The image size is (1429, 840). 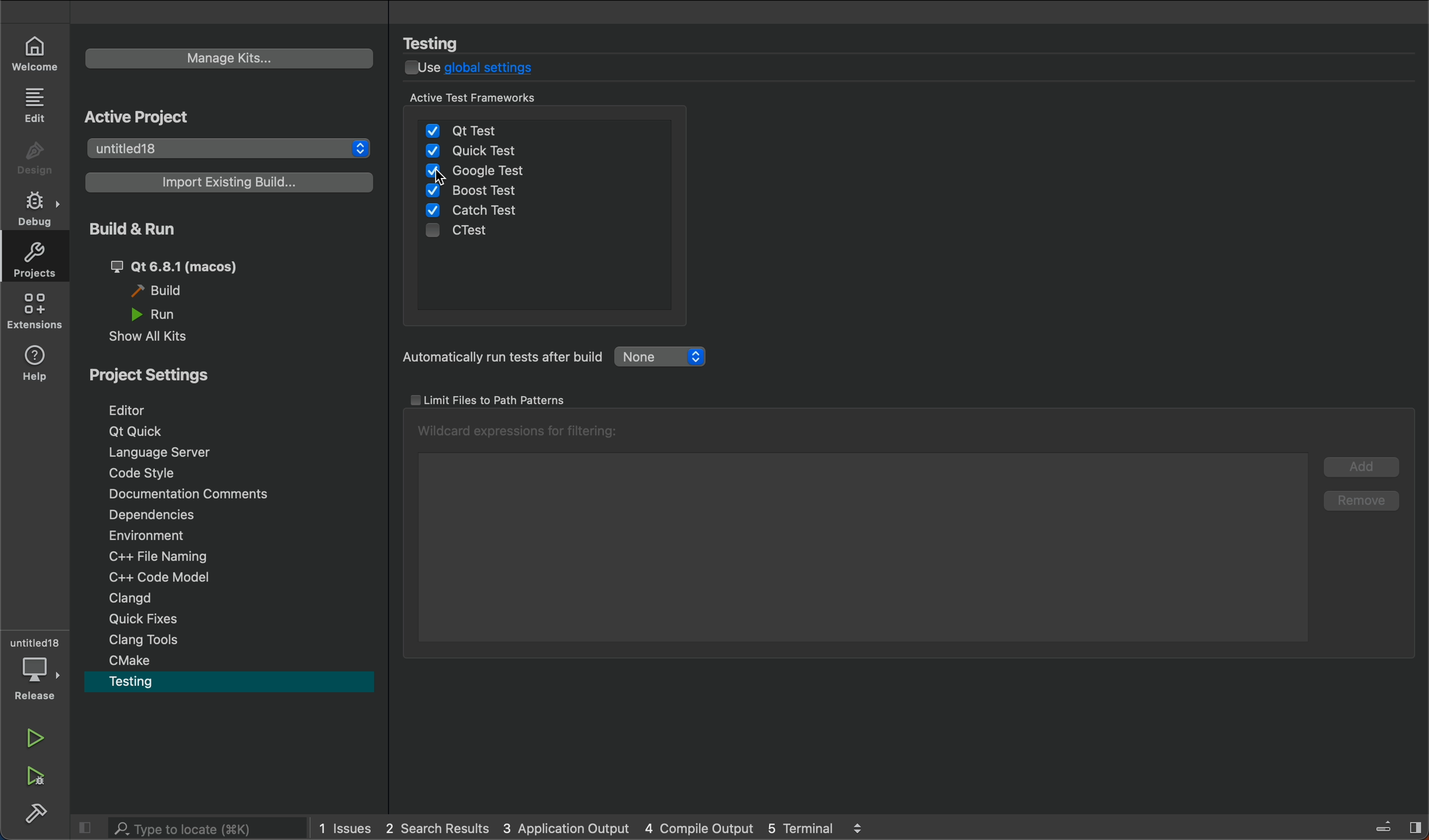 I want to click on buikd, so click(x=32, y=813).